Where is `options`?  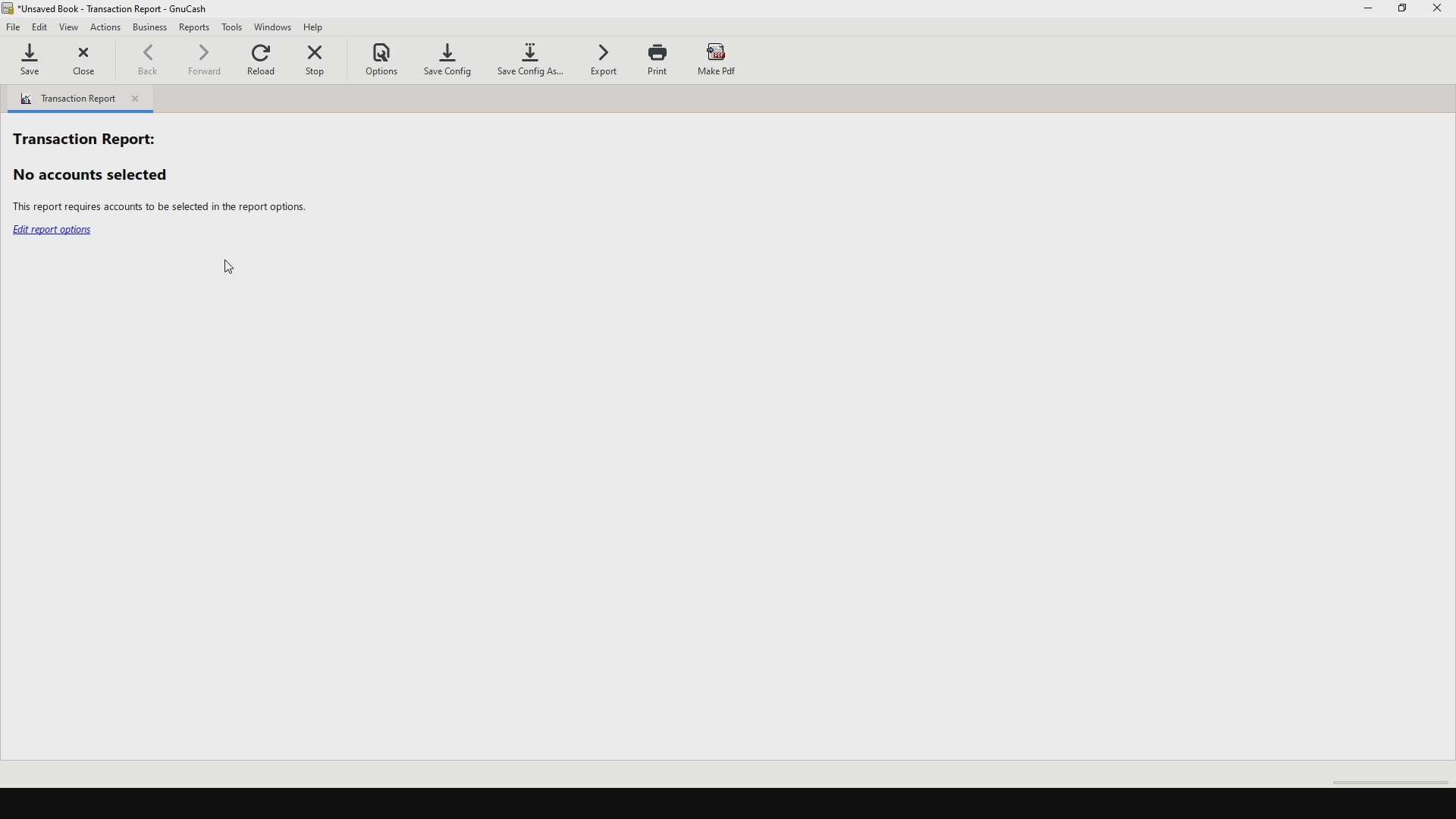 options is located at coordinates (388, 58).